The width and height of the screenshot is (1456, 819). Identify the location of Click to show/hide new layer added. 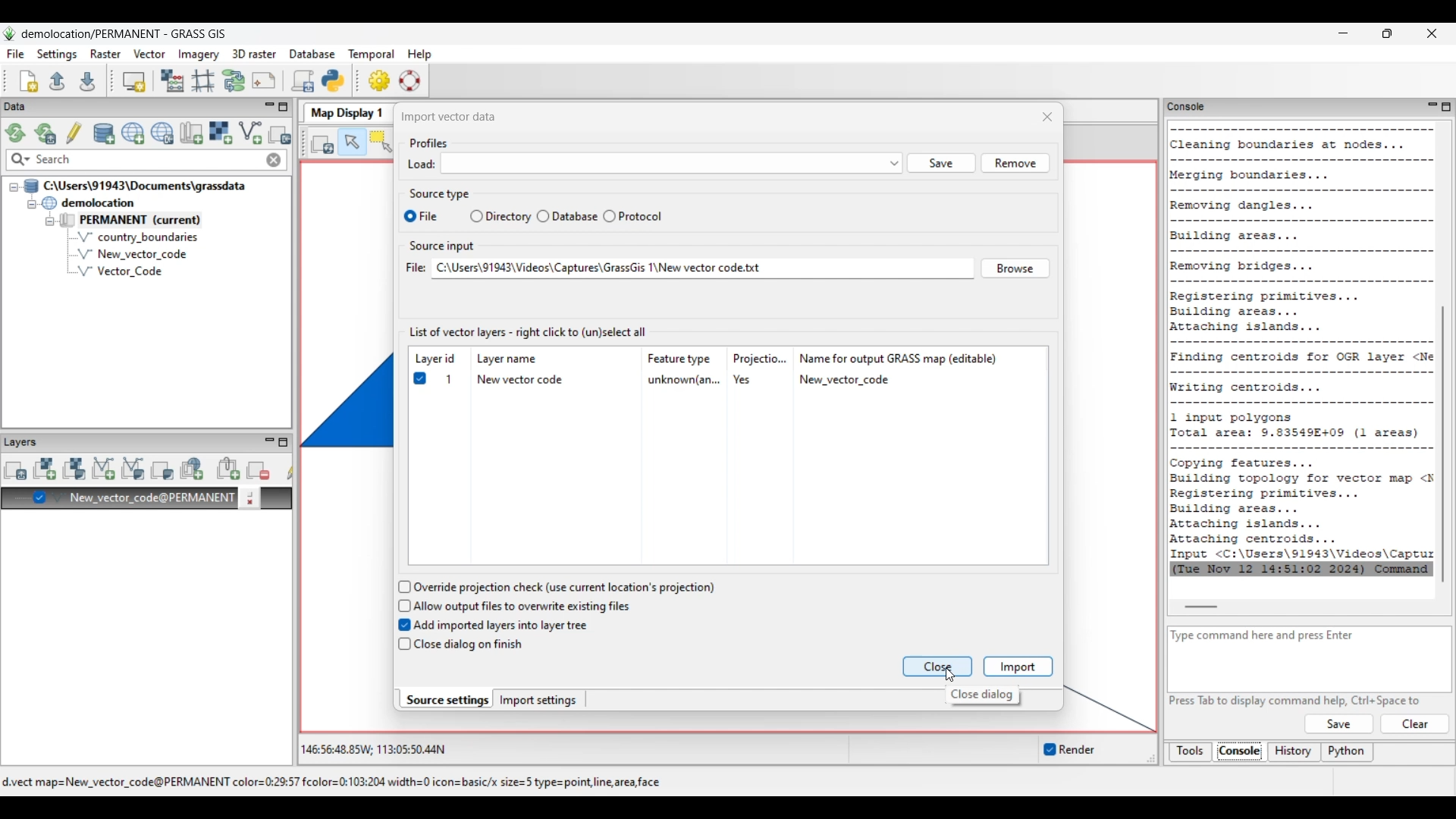
(39, 497).